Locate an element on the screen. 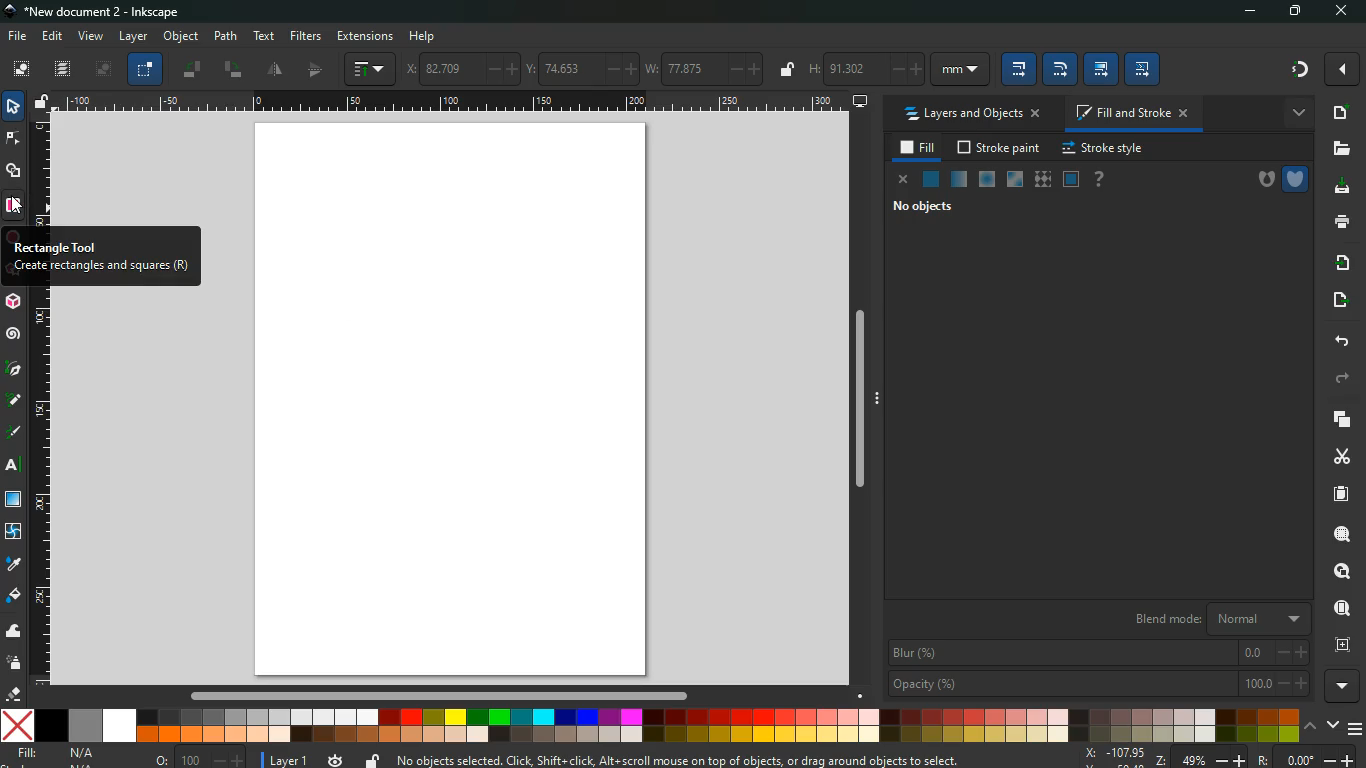 Image resolution: width=1366 pixels, height=768 pixels. scroll bar is located at coordinates (859, 395).